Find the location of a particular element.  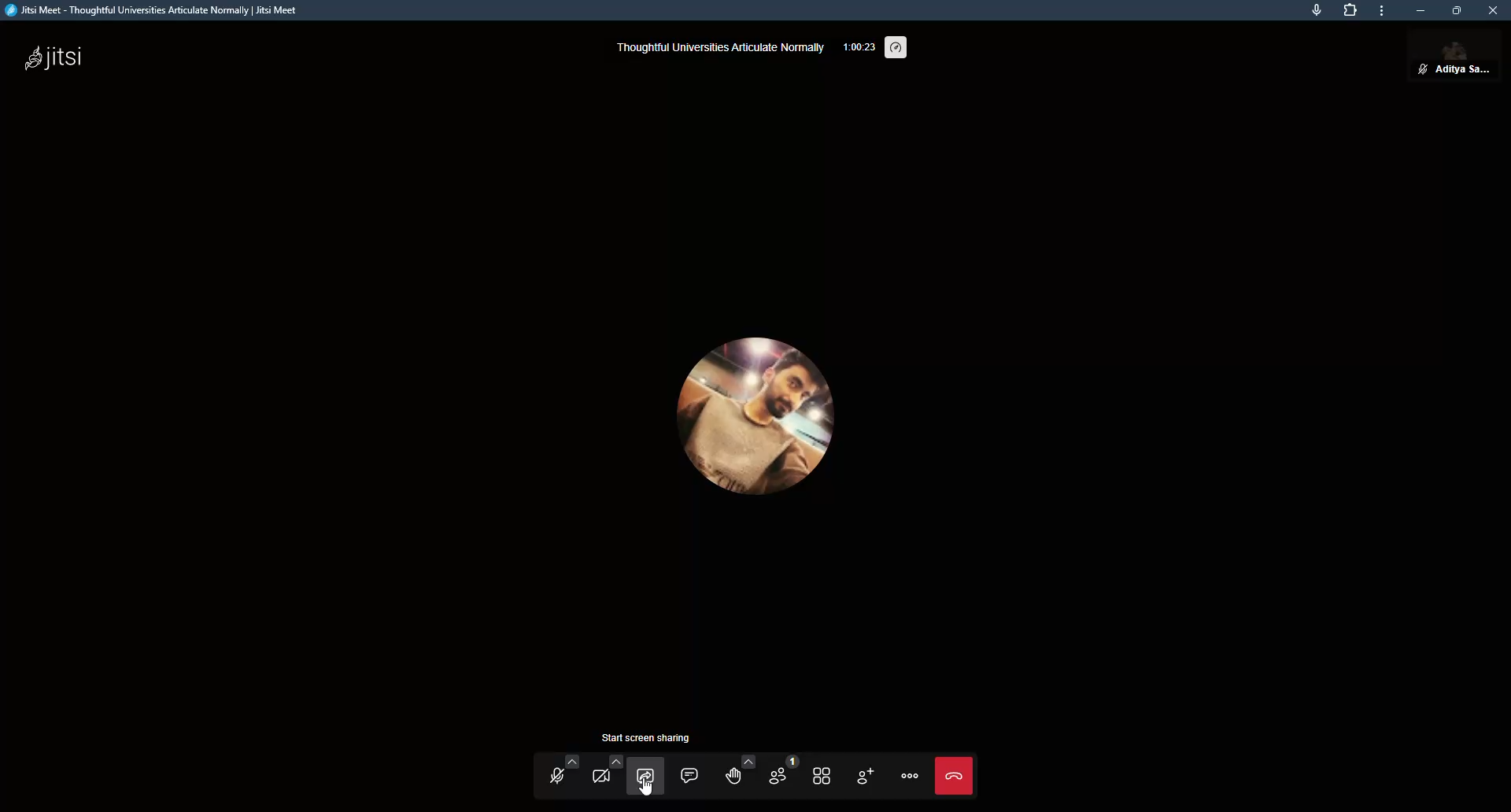

start screen sharing is located at coordinates (652, 738).